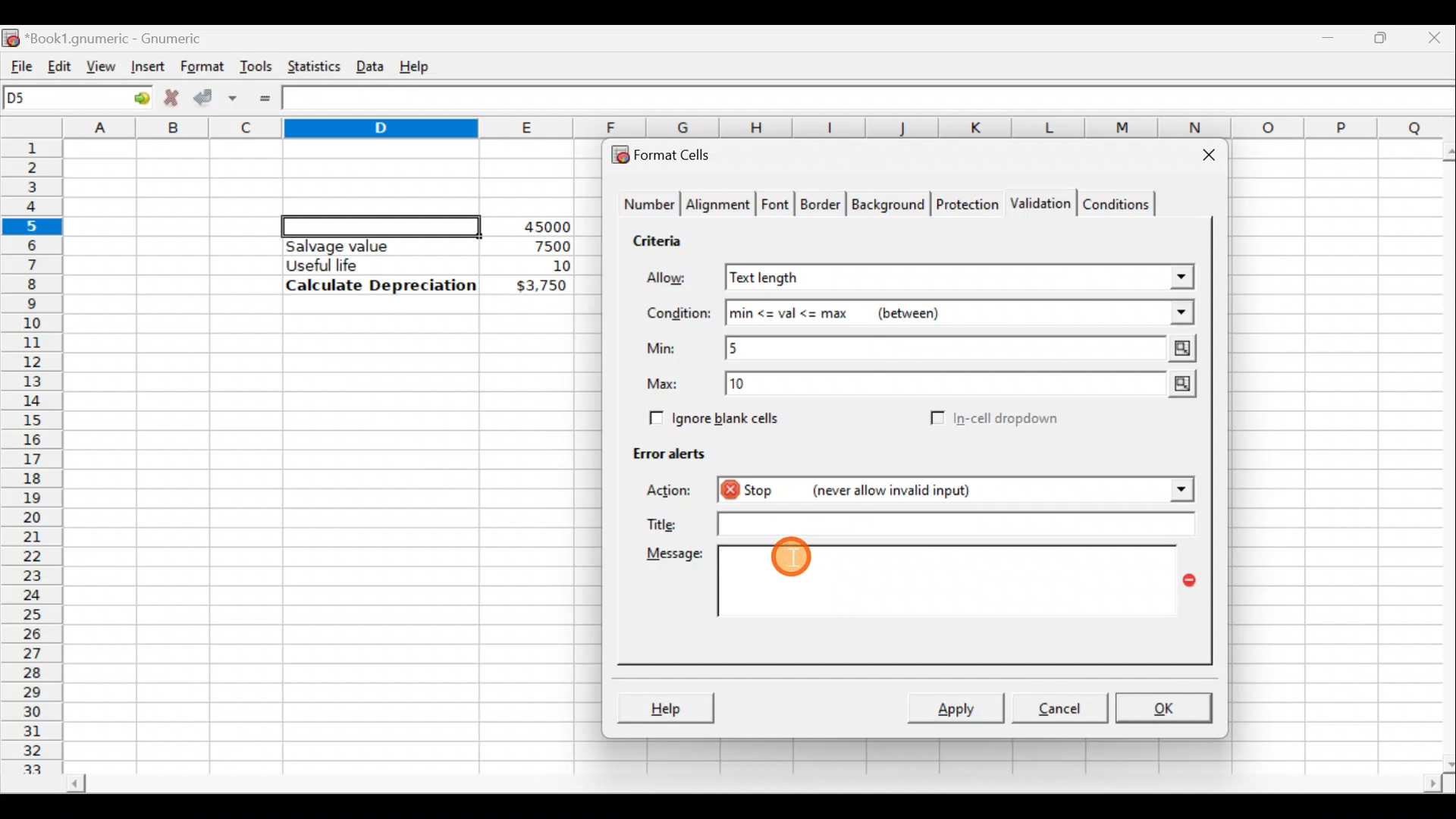 The image size is (1456, 819). I want to click on Columns, so click(761, 128).